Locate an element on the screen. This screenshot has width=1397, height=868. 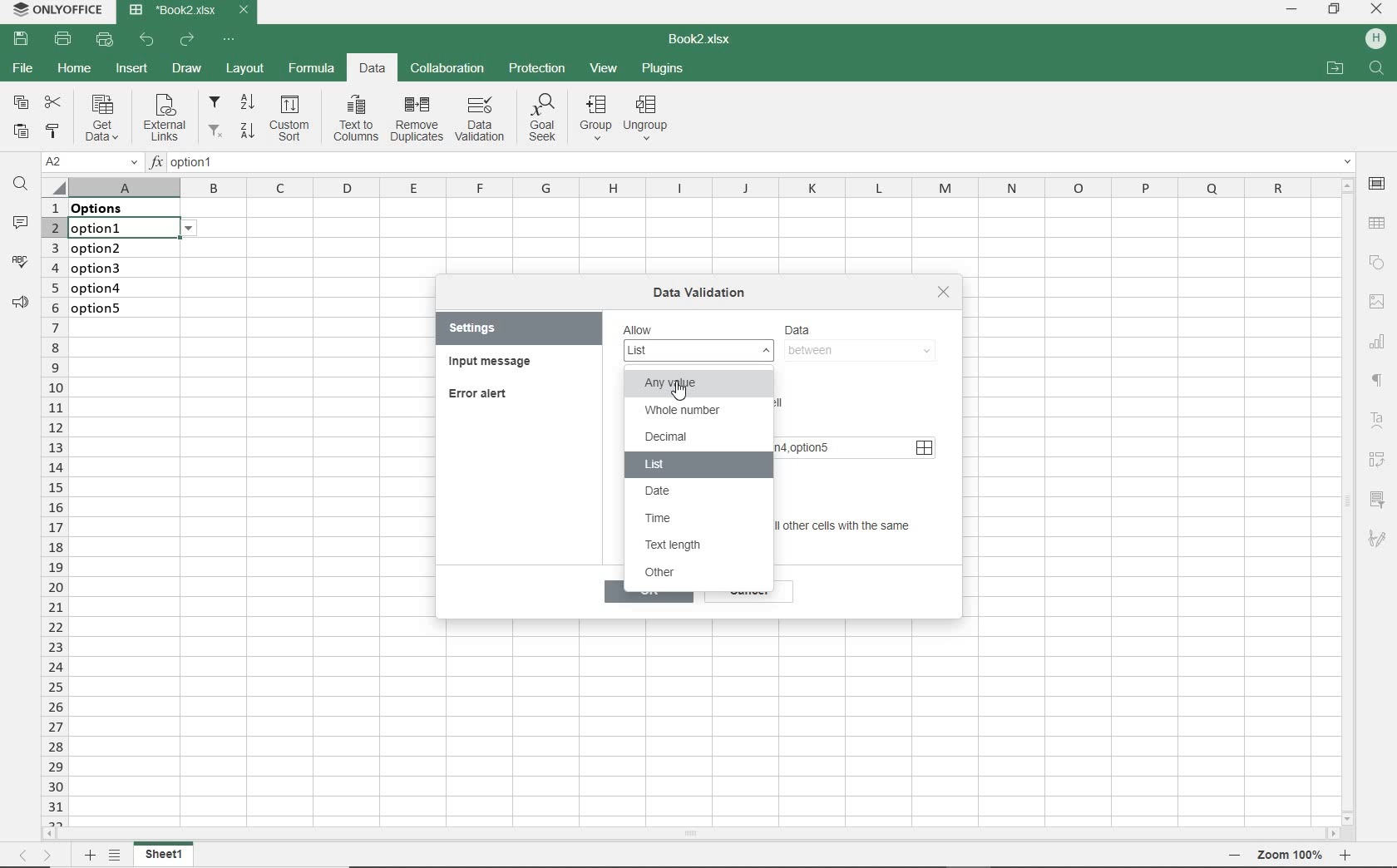
PROTECTION is located at coordinates (537, 69).